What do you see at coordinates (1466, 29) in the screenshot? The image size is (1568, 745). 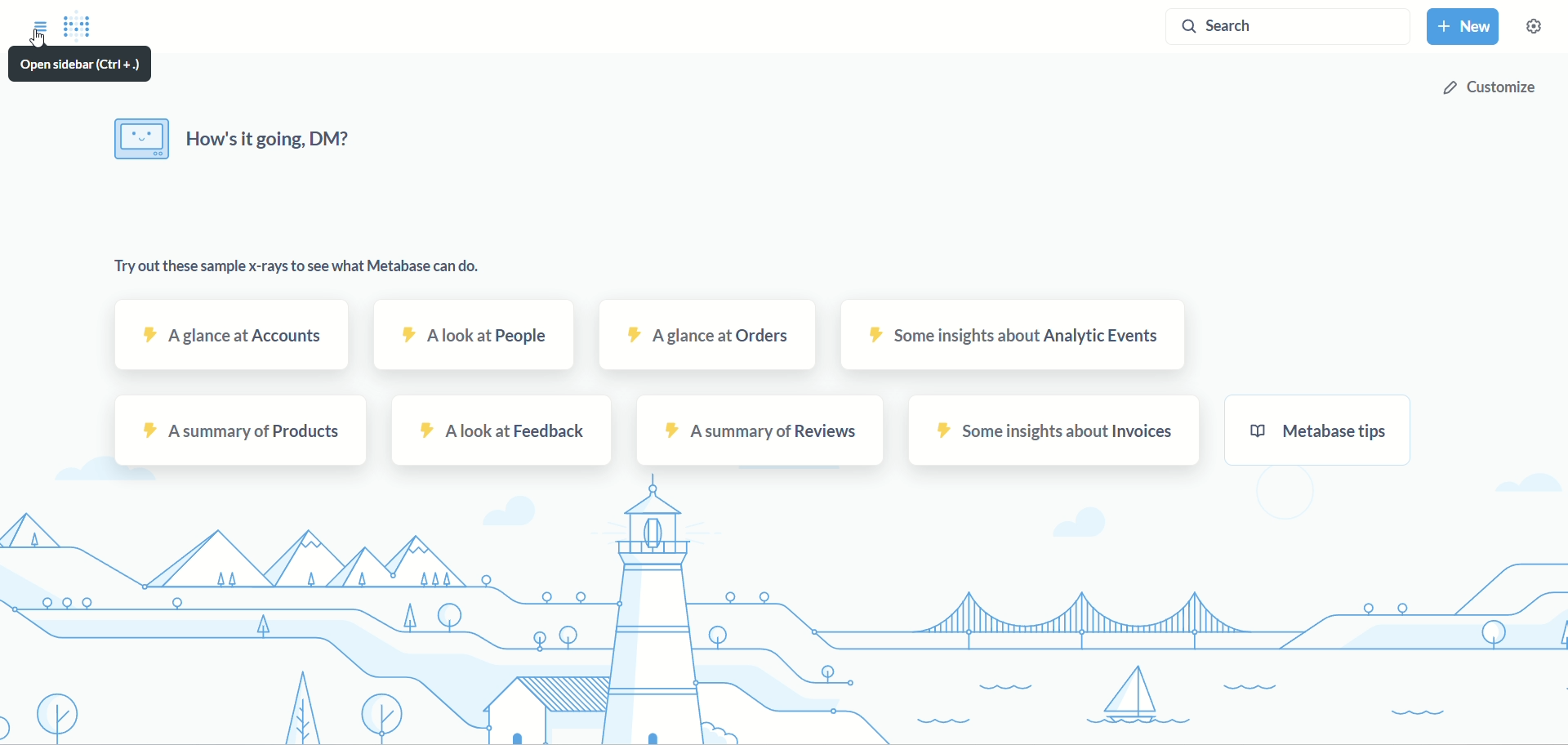 I see `new` at bounding box center [1466, 29].